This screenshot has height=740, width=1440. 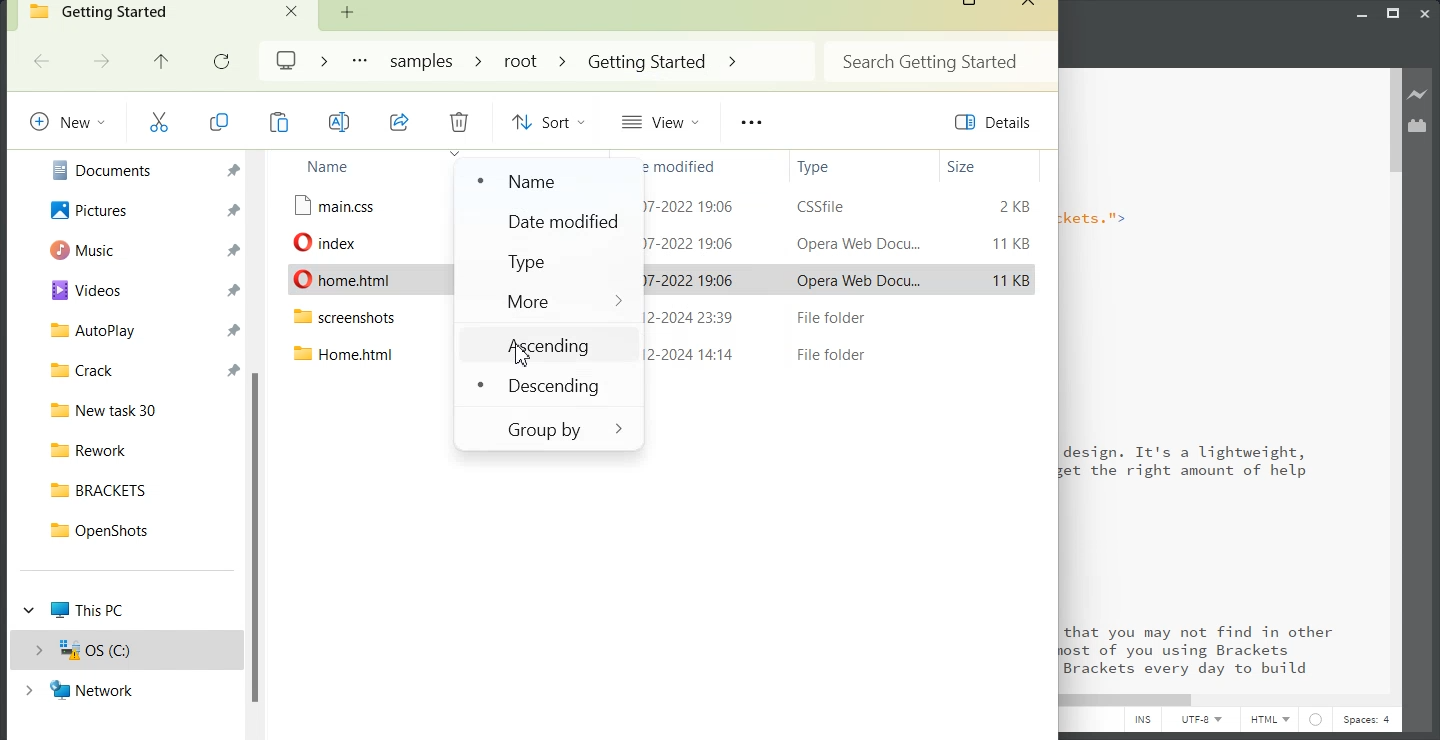 What do you see at coordinates (341, 122) in the screenshot?
I see `Rename` at bounding box center [341, 122].